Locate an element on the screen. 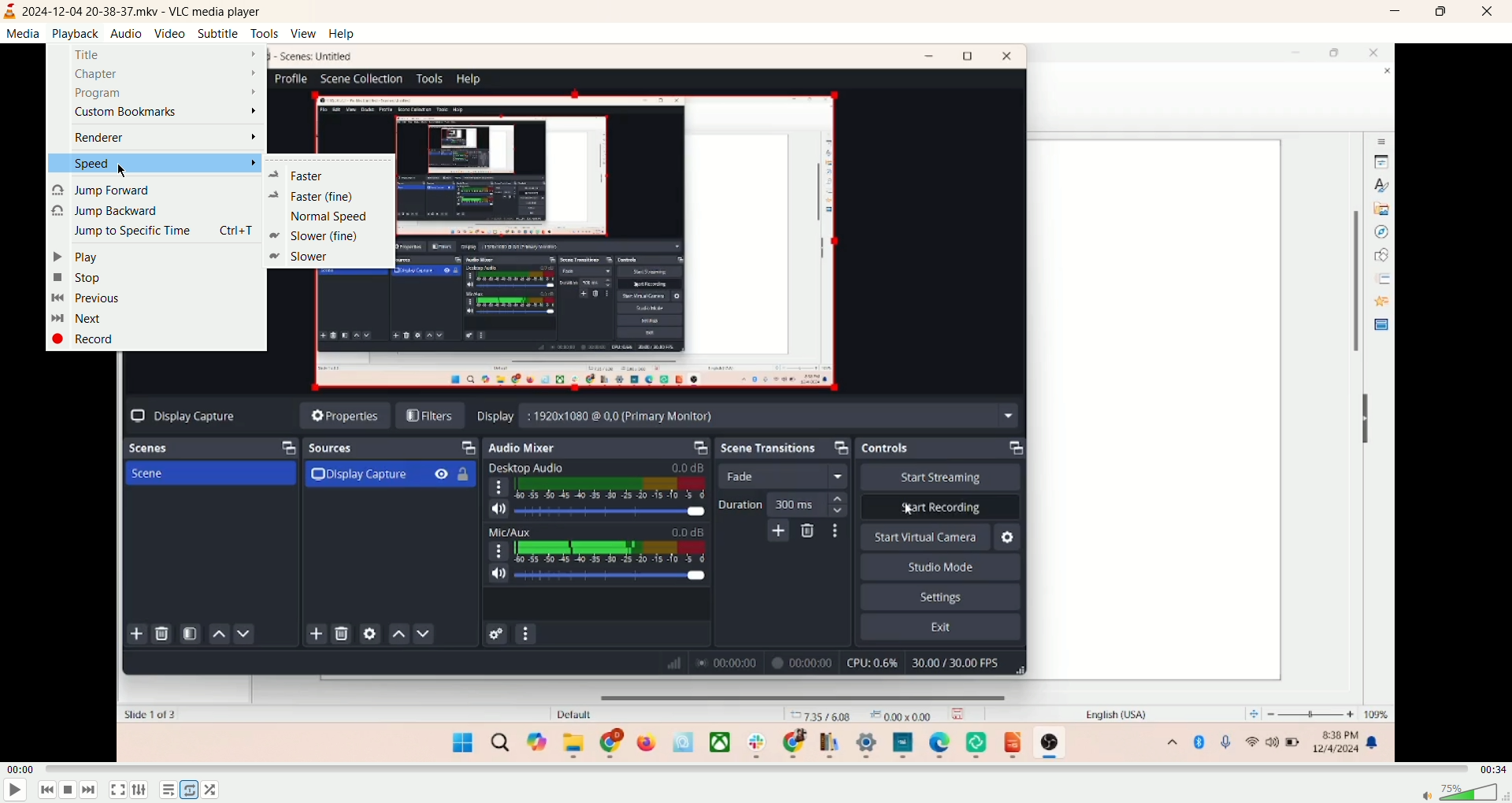 Image resolution: width=1512 pixels, height=803 pixels. next is located at coordinates (78, 319).